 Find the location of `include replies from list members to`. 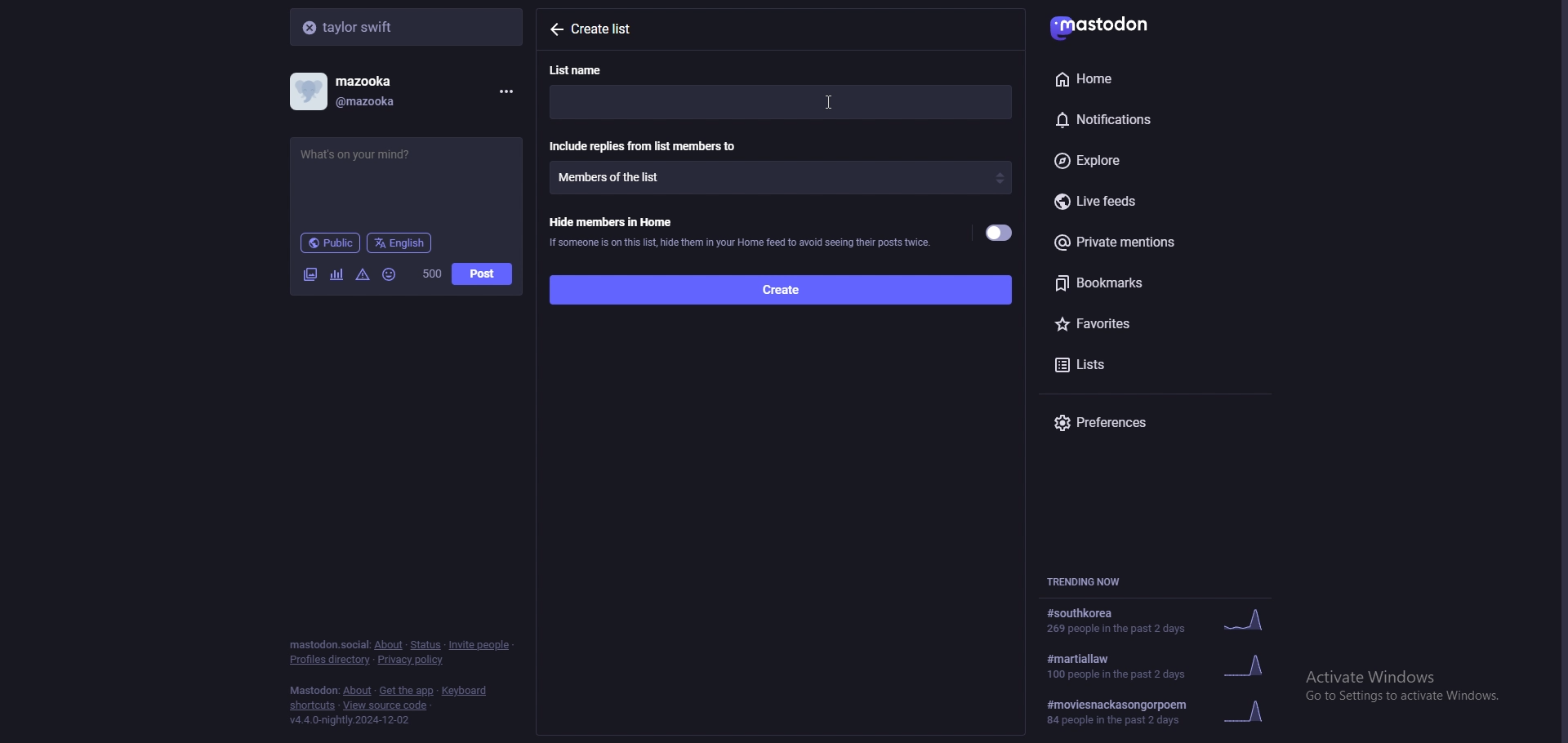

include replies from list members to is located at coordinates (646, 145).